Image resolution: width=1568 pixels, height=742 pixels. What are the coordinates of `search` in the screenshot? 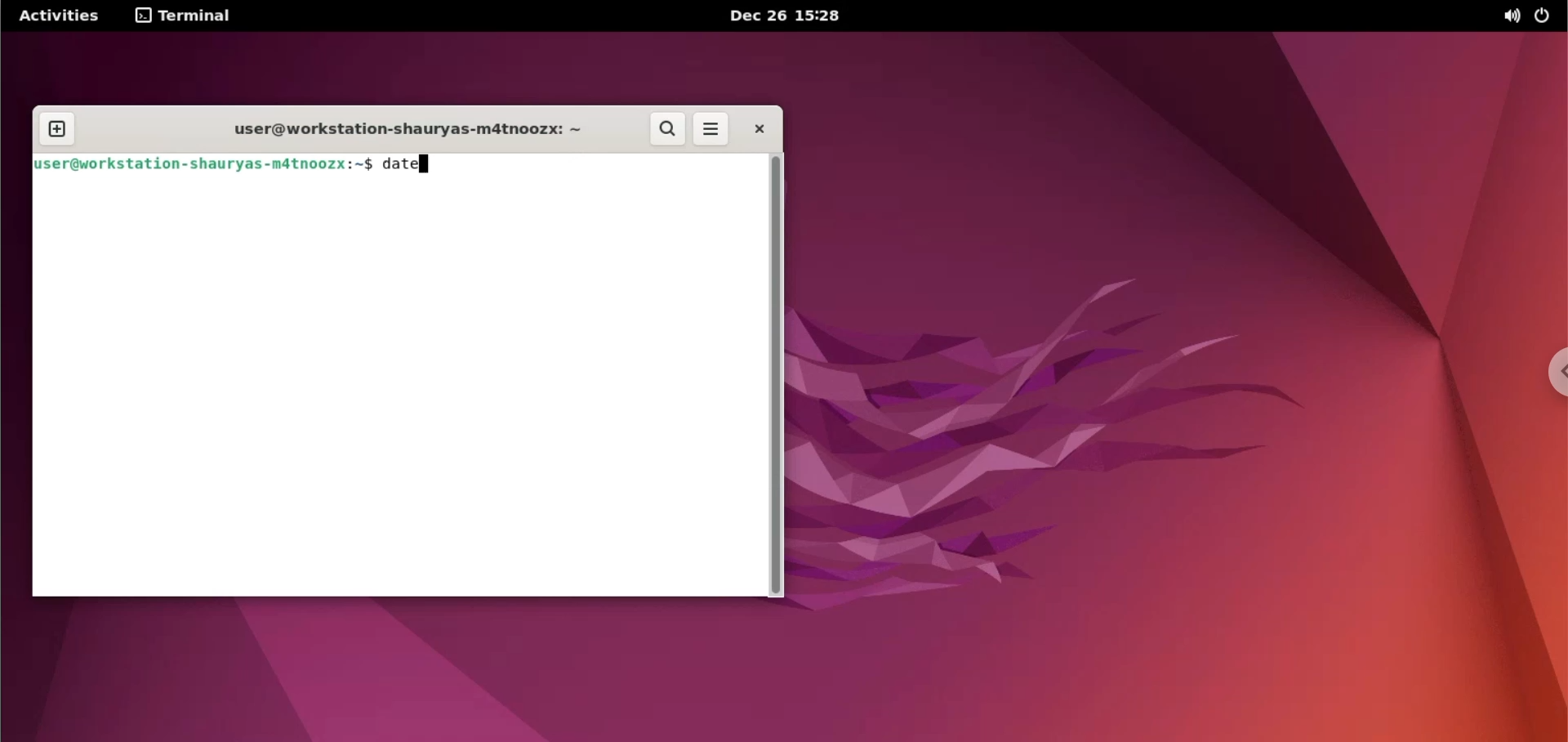 It's located at (667, 129).